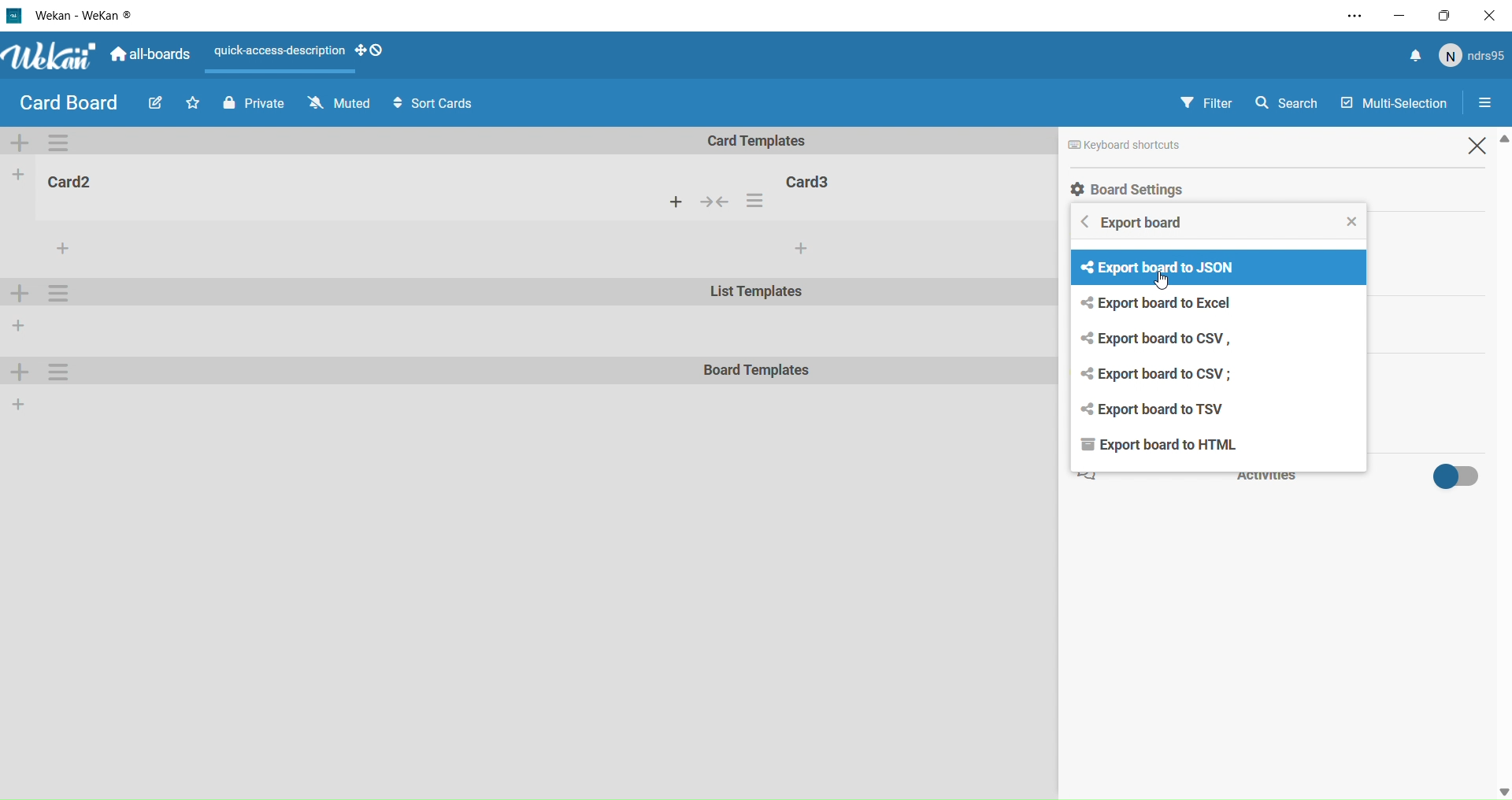  What do you see at coordinates (1165, 283) in the screenshot?
I see `cursor` at bounding box center [1165, 283].